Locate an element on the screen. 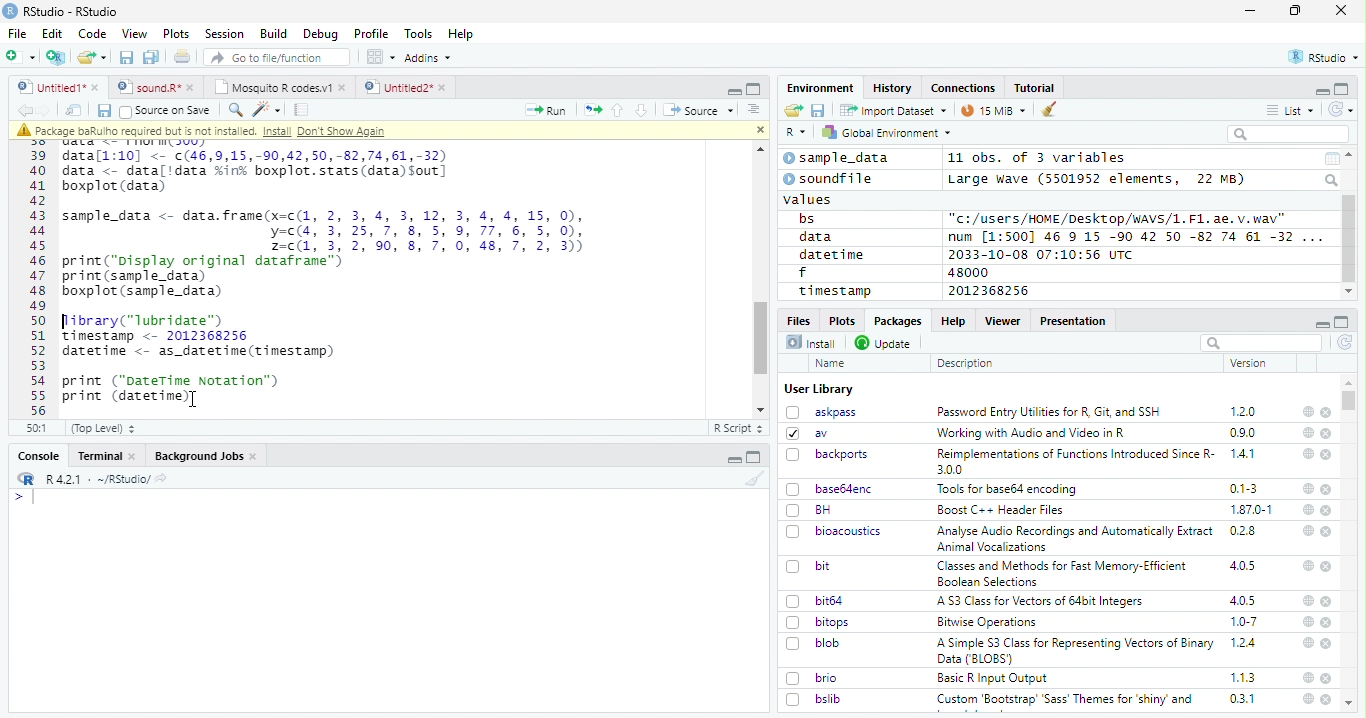 This screenshot has width=1366, height=718. File is located at coordinates (16, 33).